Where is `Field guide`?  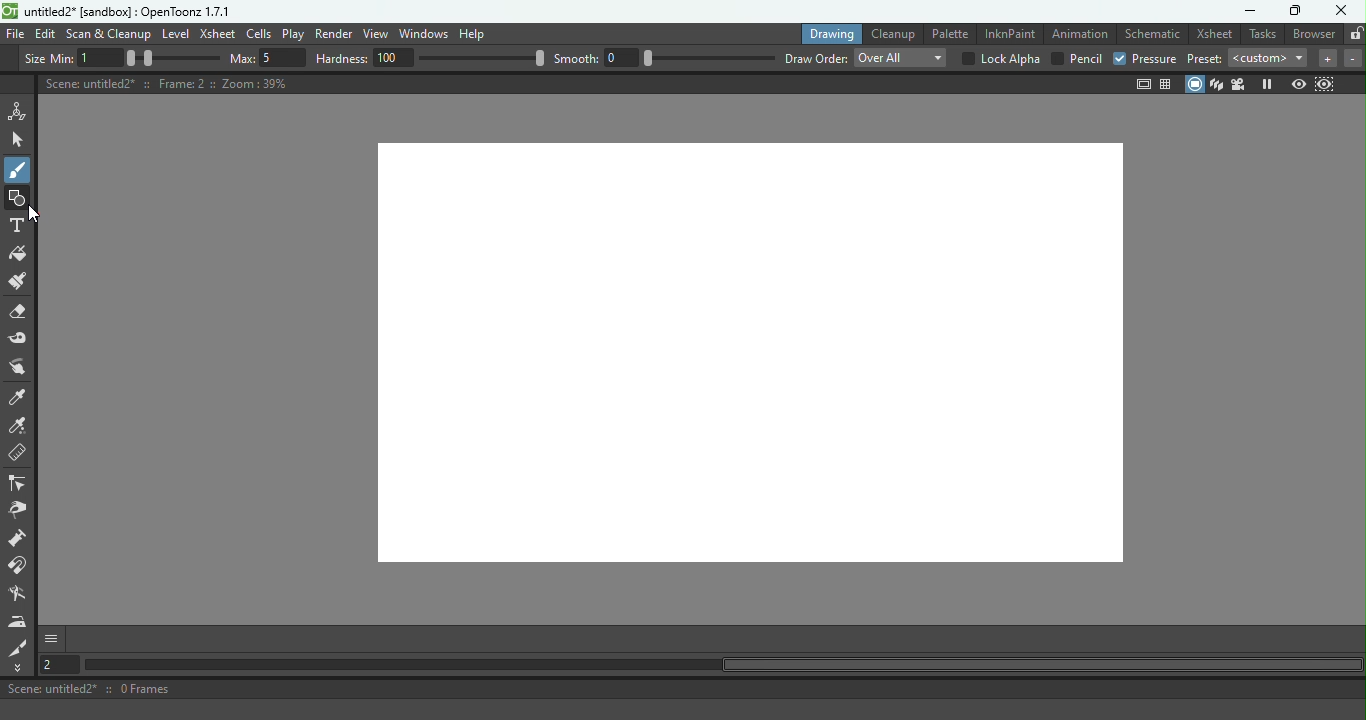 Field guide is located at coordinates (1167, 83).